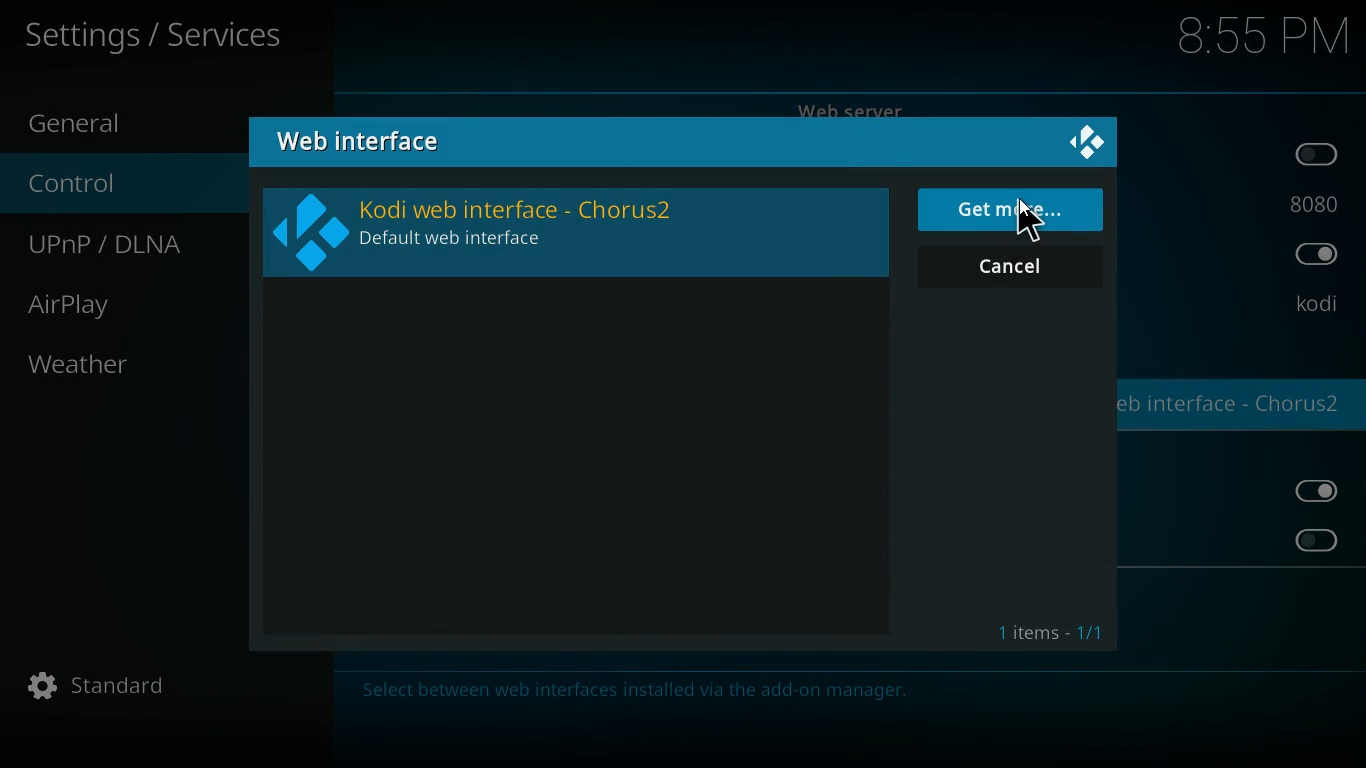 This screenshot has width=1366, height=768. I want to click on username, so click(1315, 305).